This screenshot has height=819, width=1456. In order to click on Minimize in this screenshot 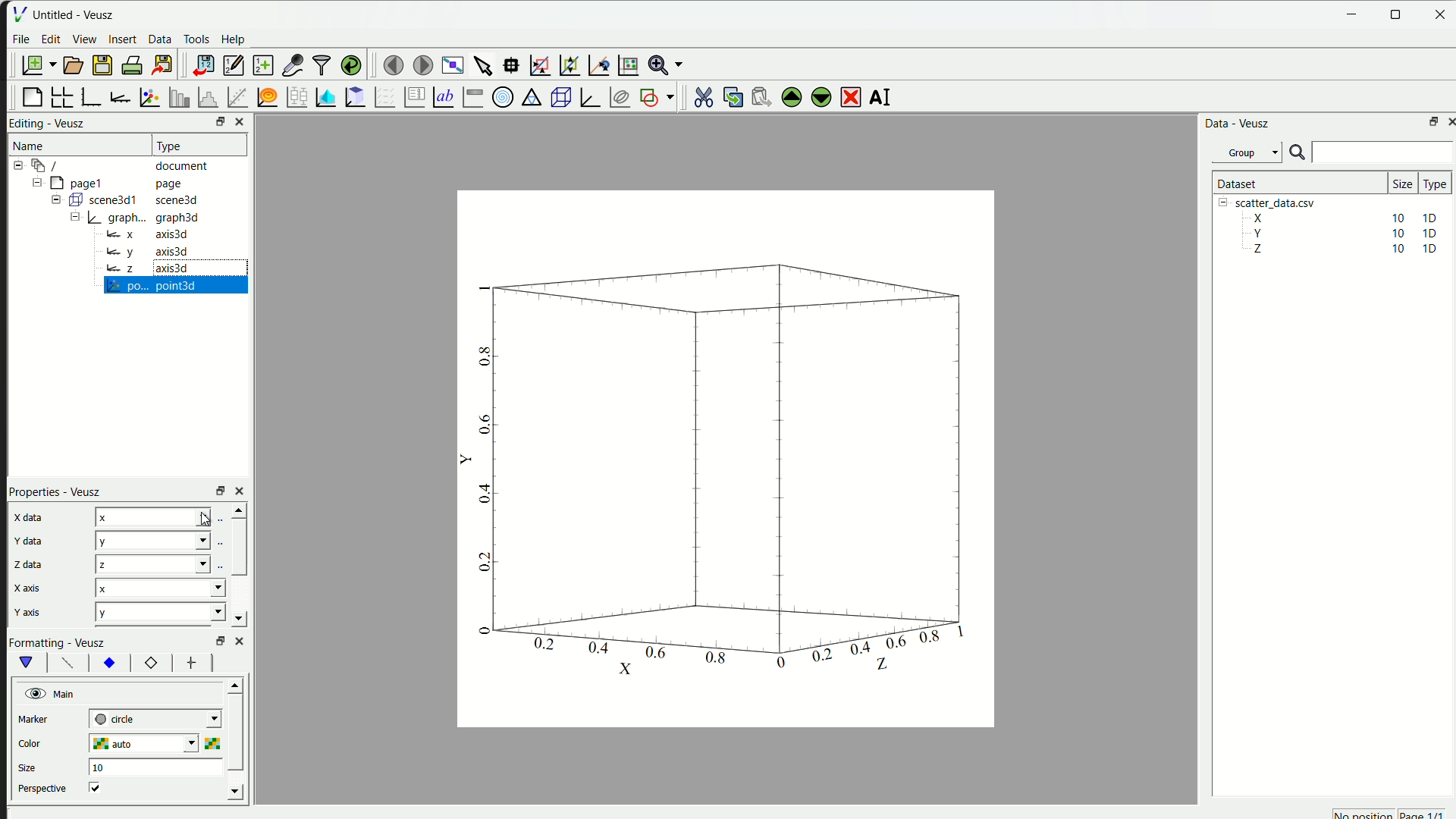, I will do `click(1353, 14)`.